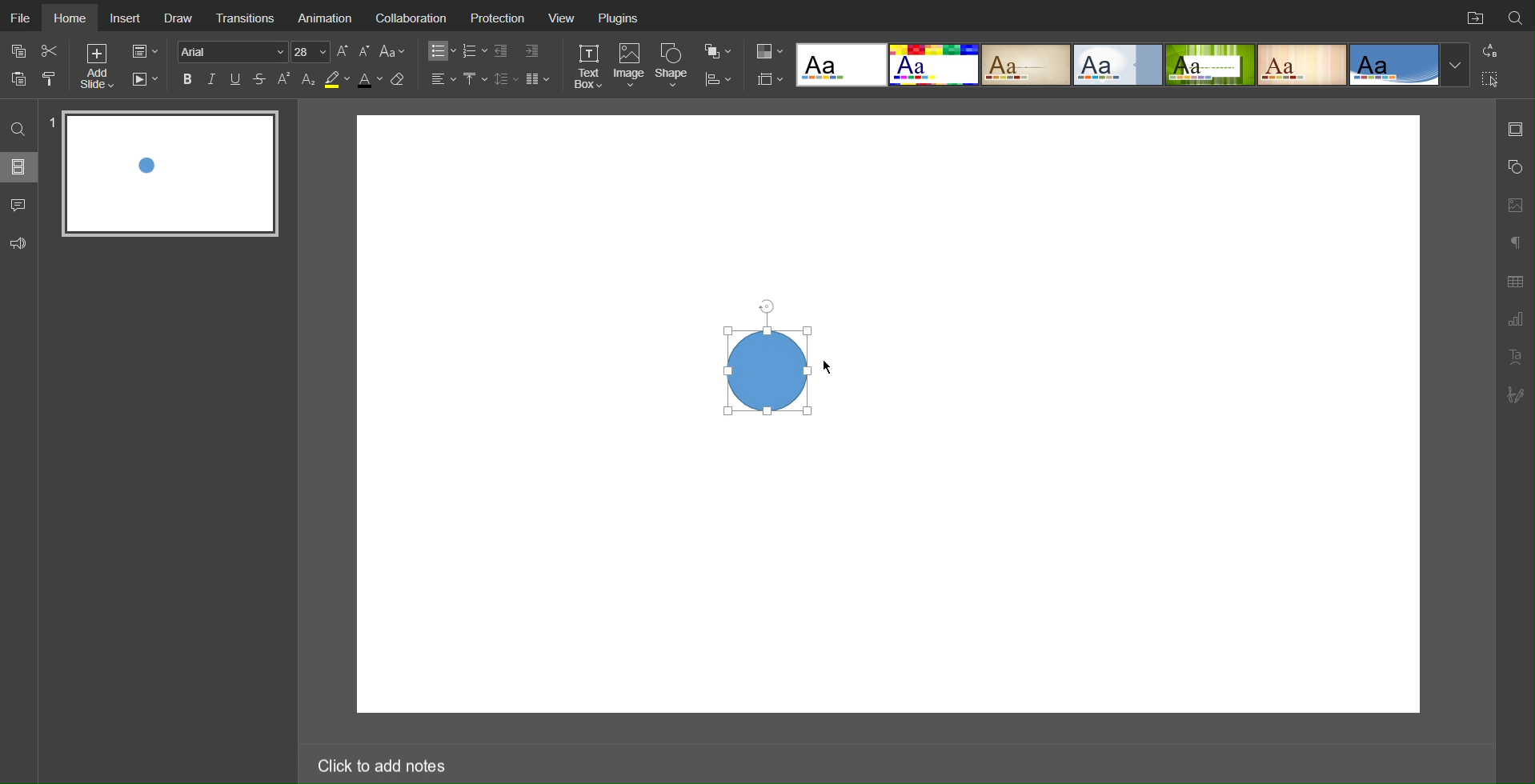 Image resolution: width=1535 pixels, height=784 pixels. What do you see at coordinates (187, 78) in the screenshot?
I see `Bold` at bounding box center [187, 78].